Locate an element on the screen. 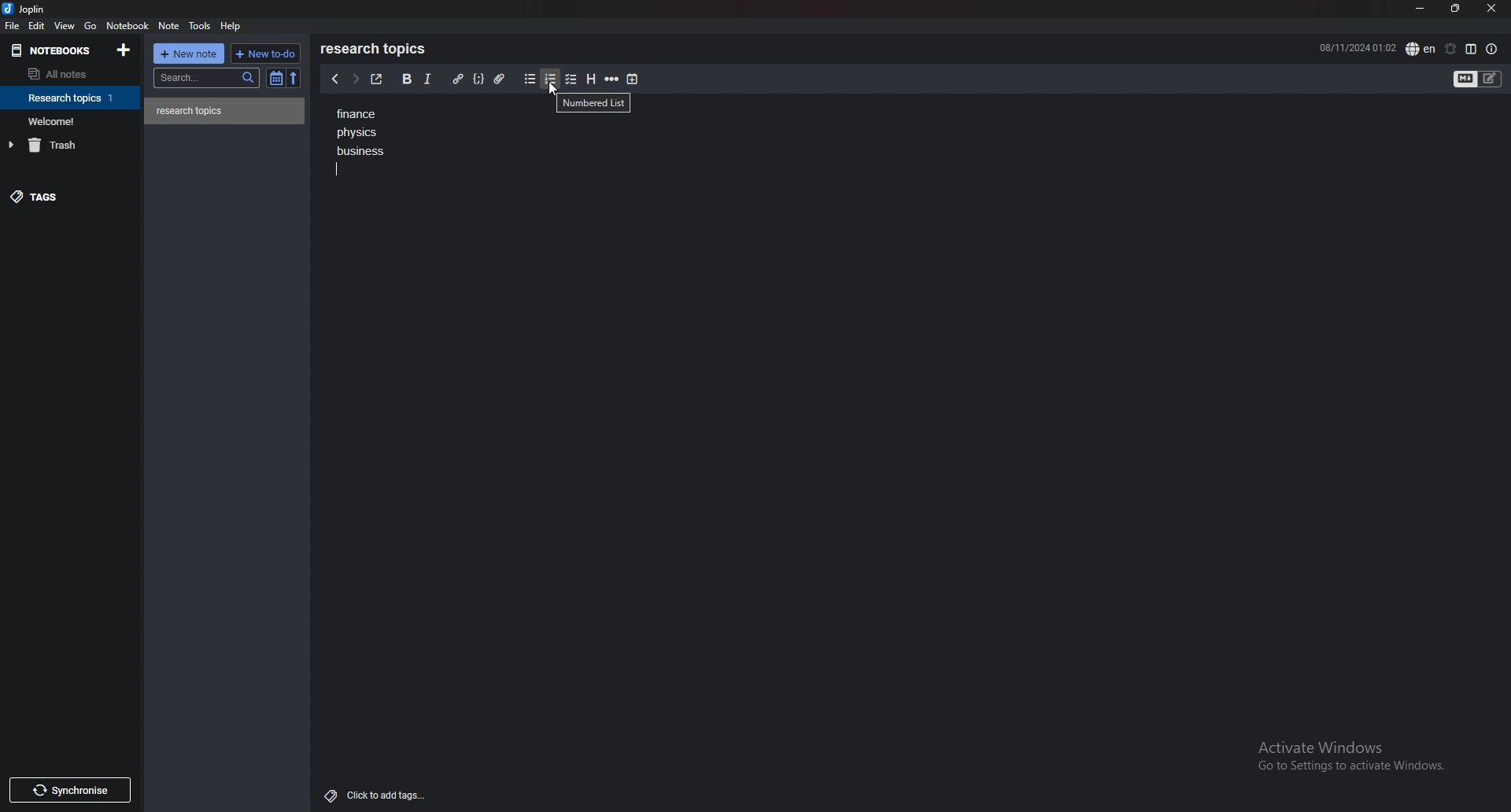 Image resolution: width=1511 pixels, height=812 pixels. close is located at coordinates (1491, 9).